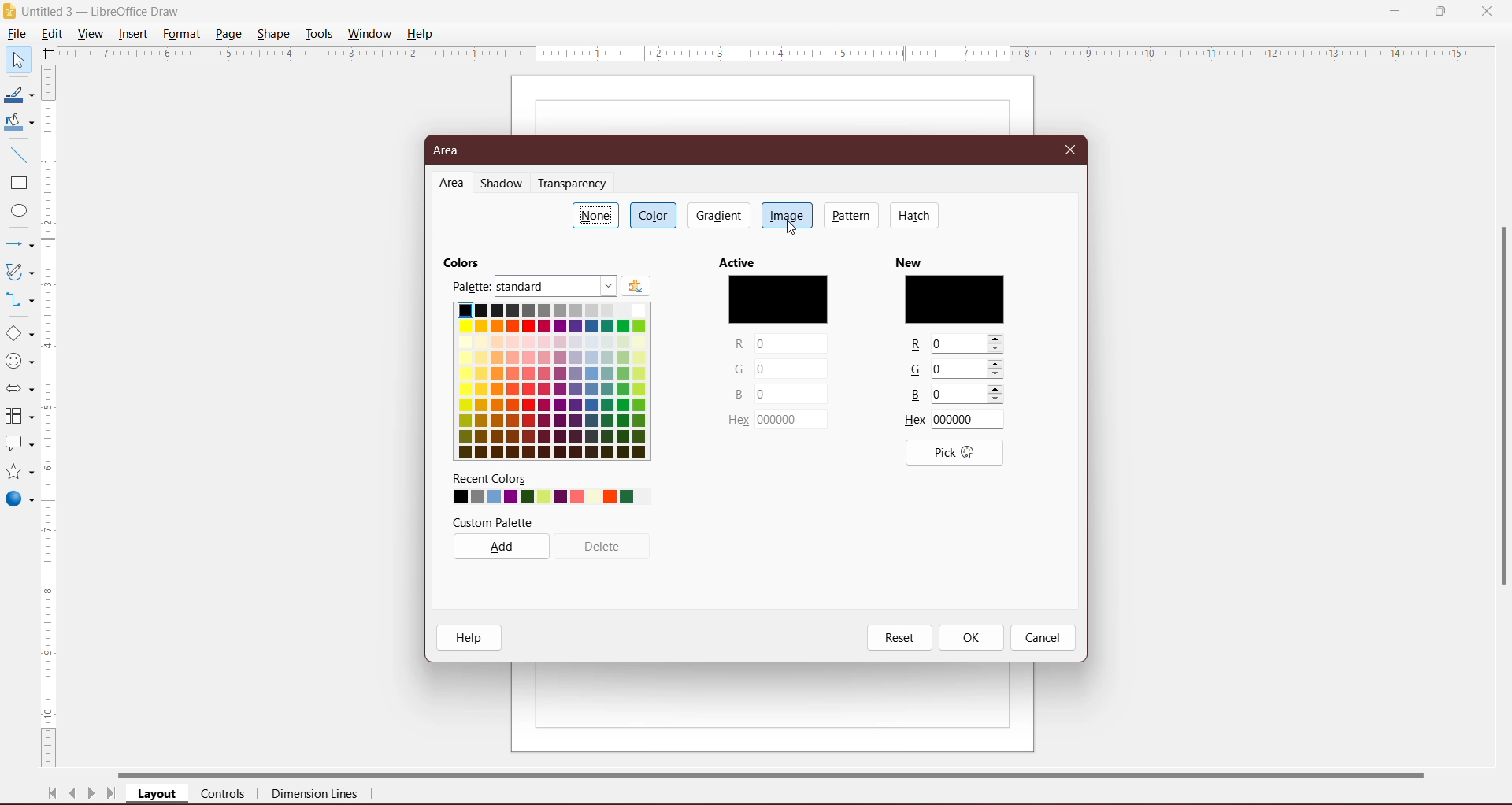 The image size is (1512, 805). What do you see at coordinates (1499, 407) in the screenshot?
I see `Vertical Scroll Bar` at bounding box center [1499, 407].